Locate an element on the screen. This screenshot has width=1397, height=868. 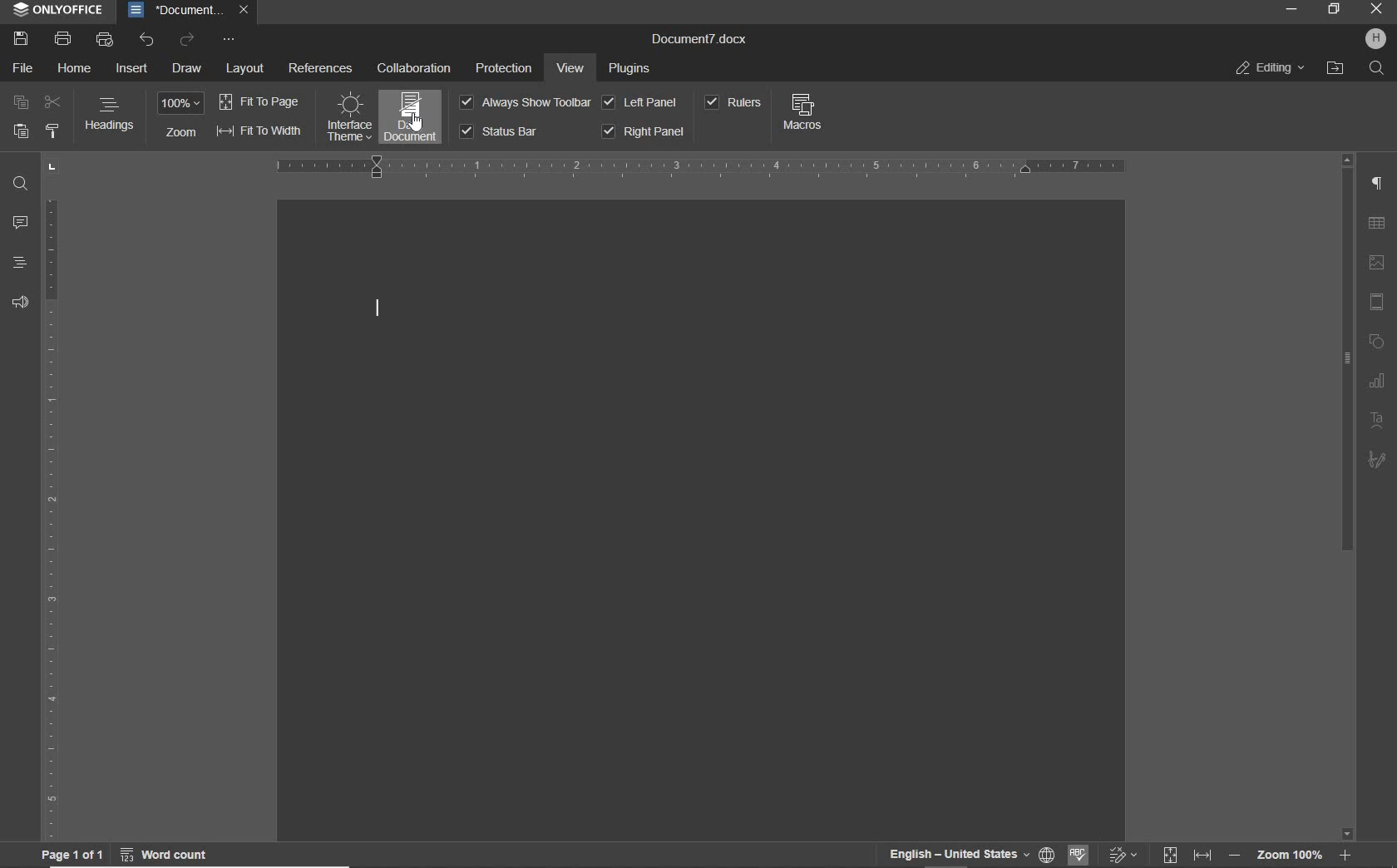
PROTECTION is located at coordinates (507, 70).